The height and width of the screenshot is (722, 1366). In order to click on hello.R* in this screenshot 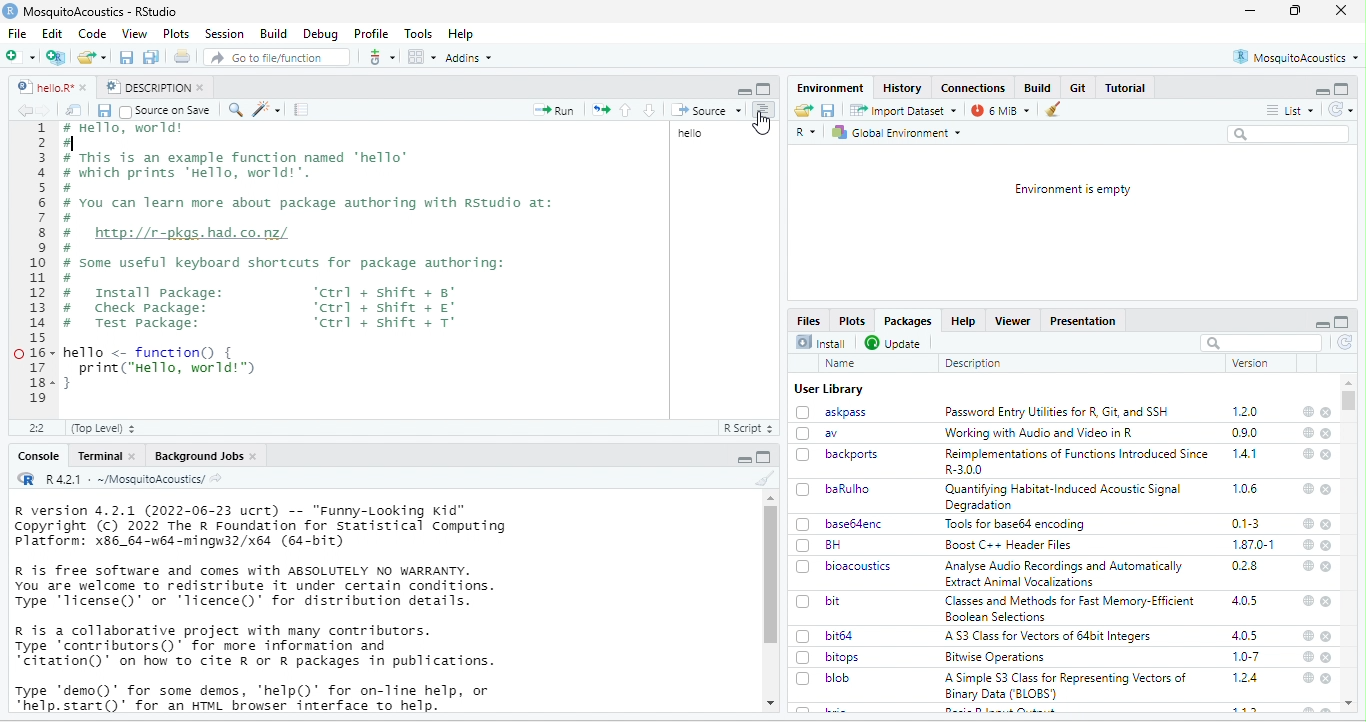, I will do `click(51, 87)`.